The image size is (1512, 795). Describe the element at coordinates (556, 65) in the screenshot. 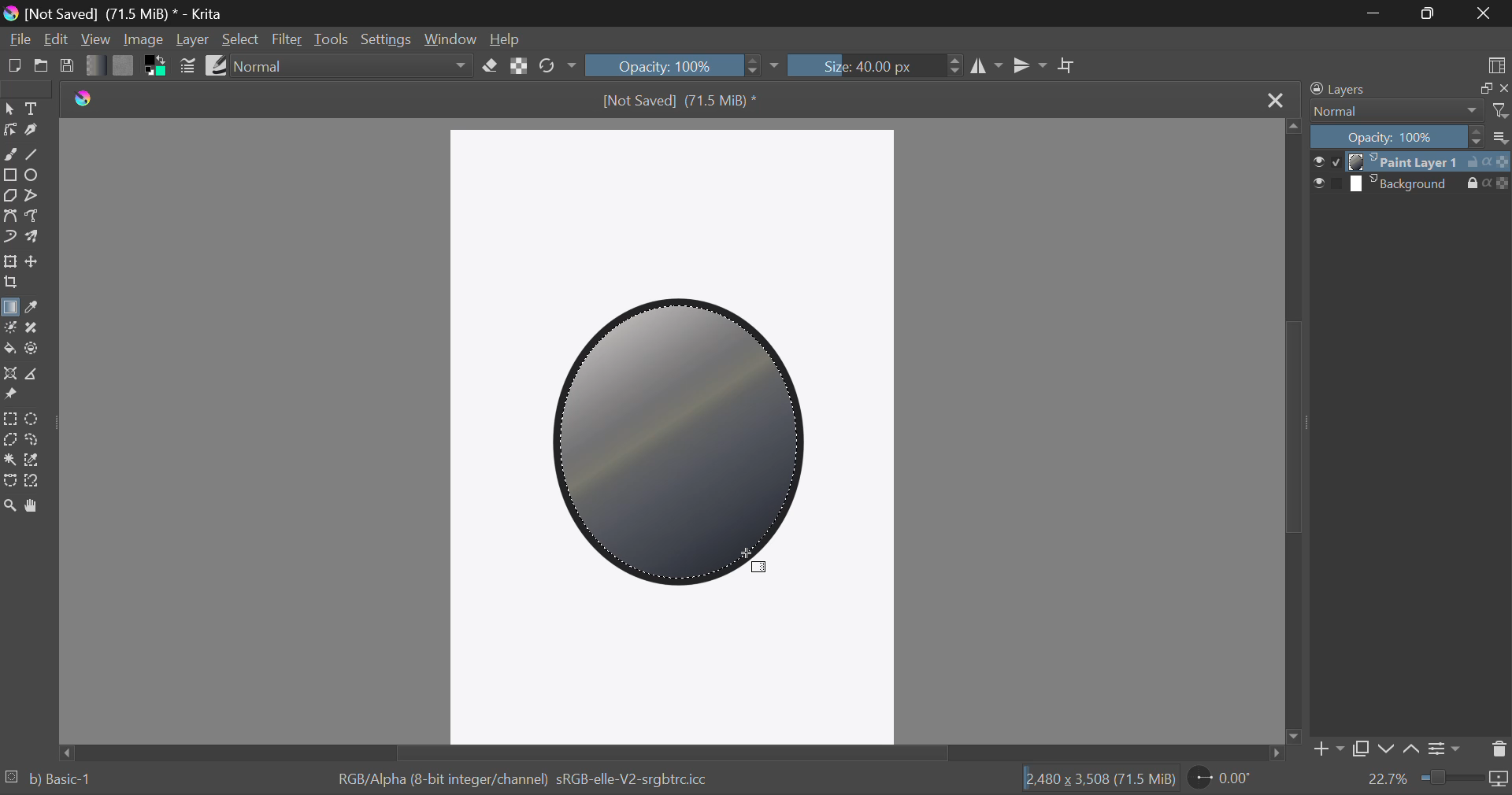

I see `Rotate` at that location.